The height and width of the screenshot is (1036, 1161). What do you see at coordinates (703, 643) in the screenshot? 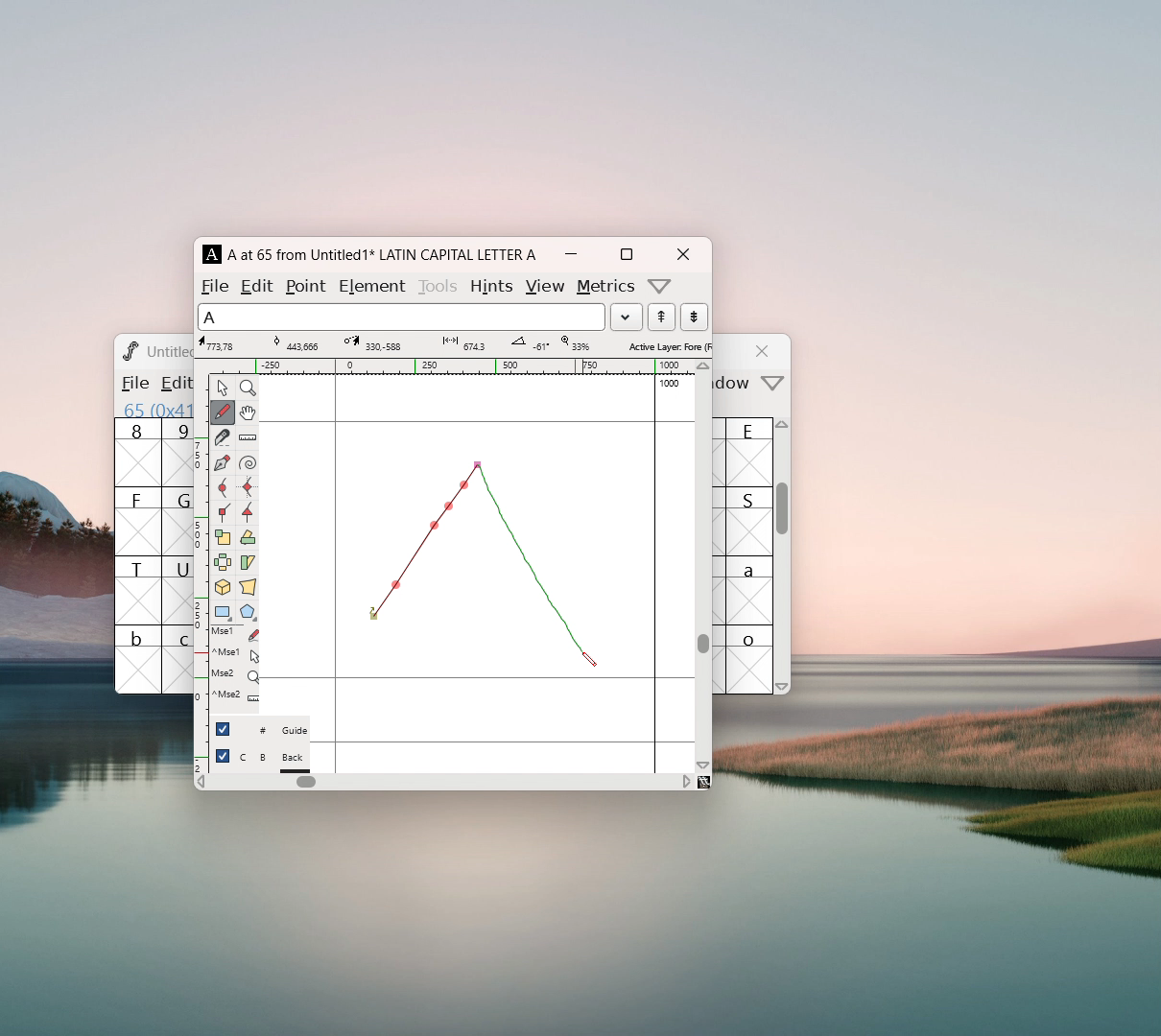
I see `scrollbar` at bounding box center [703, 643].